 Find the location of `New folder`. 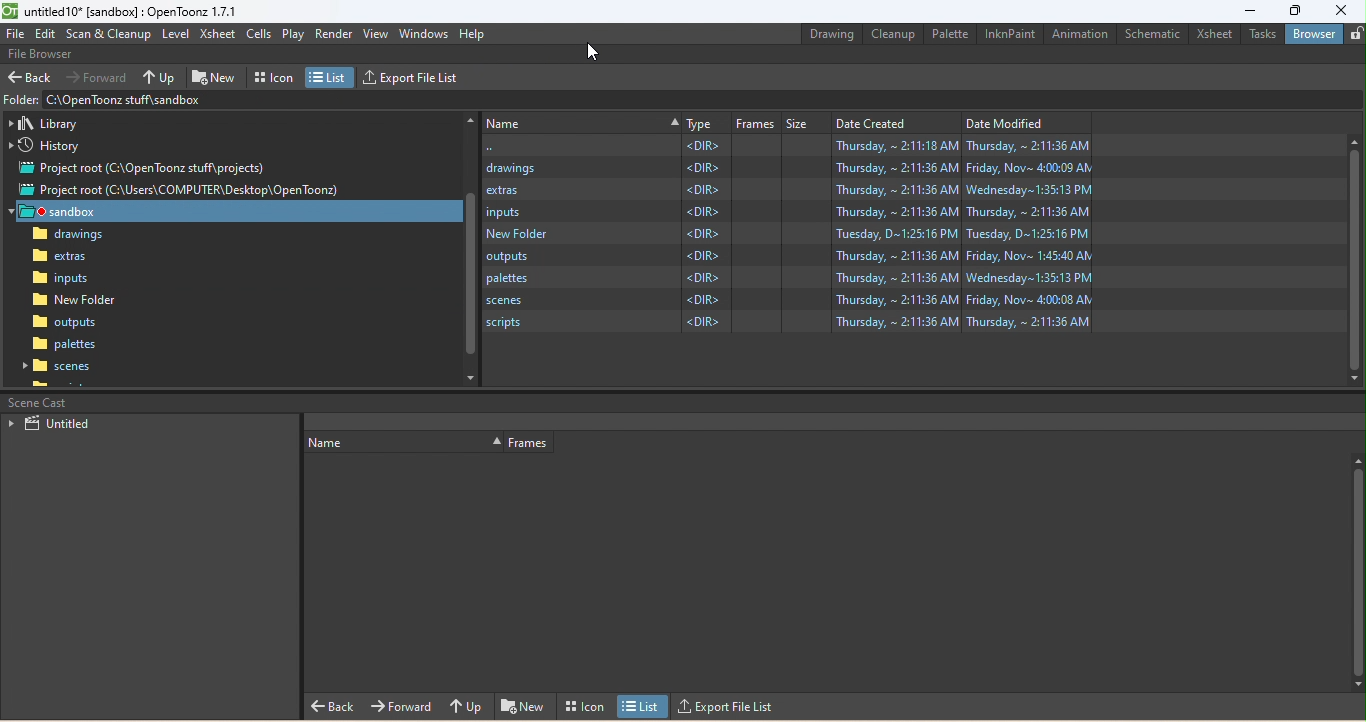

New folder is located at coordinates (787, 235).